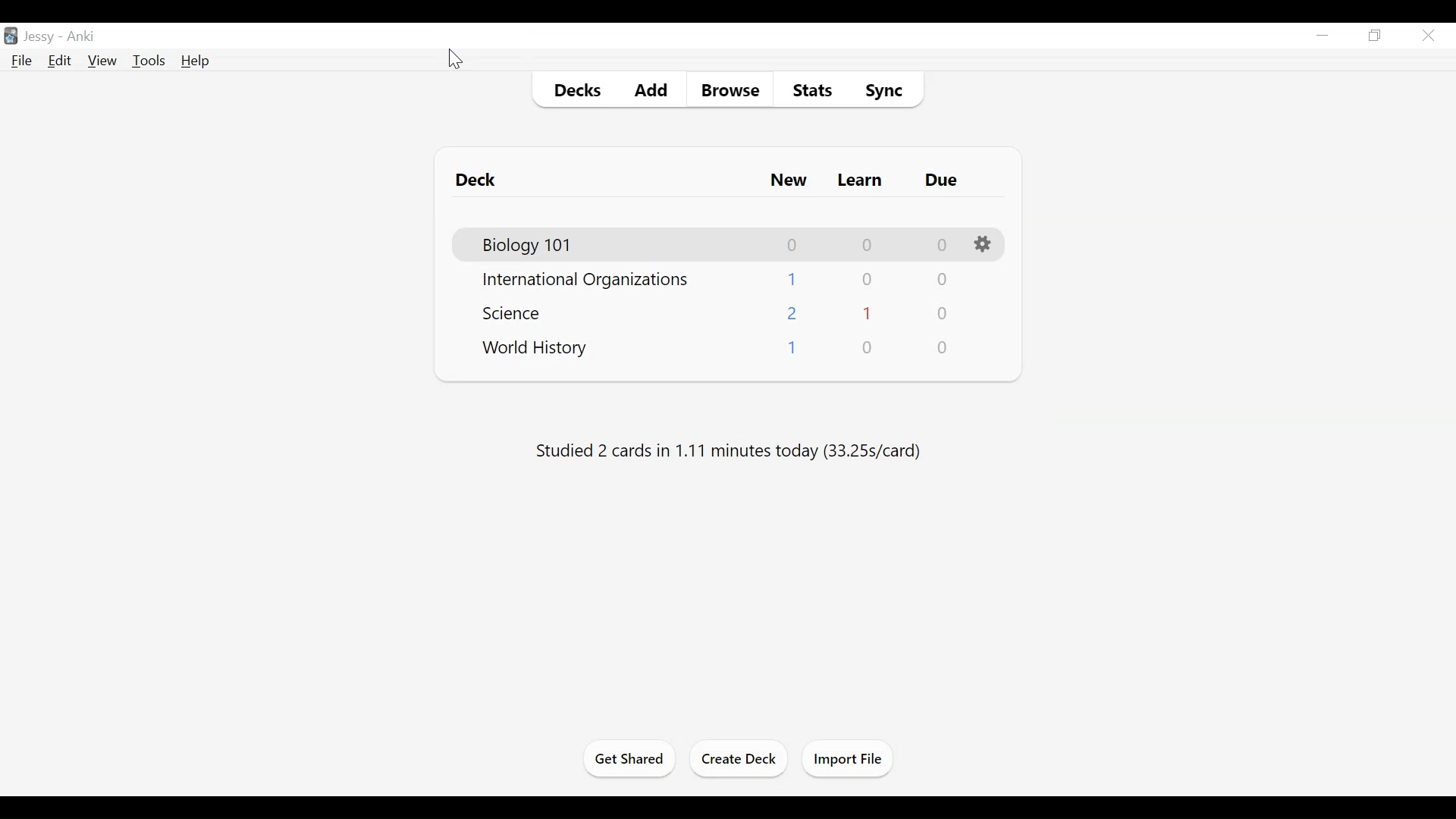 The image size is (1456, 819). Describe the element at coordinates (941, 315) in the screenshot. I see `Due Cards Count` at that location.